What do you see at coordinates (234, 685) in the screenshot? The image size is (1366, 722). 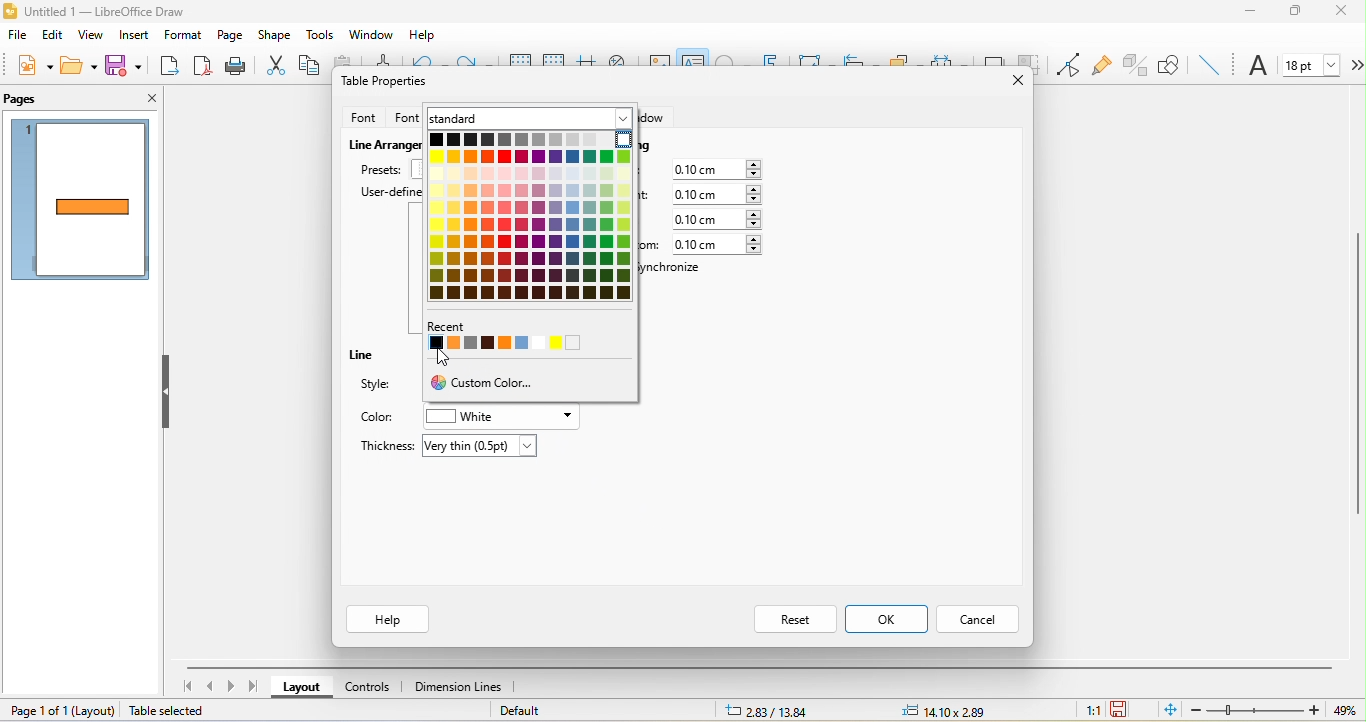 I see `next page` at bounding box center [234, 685].